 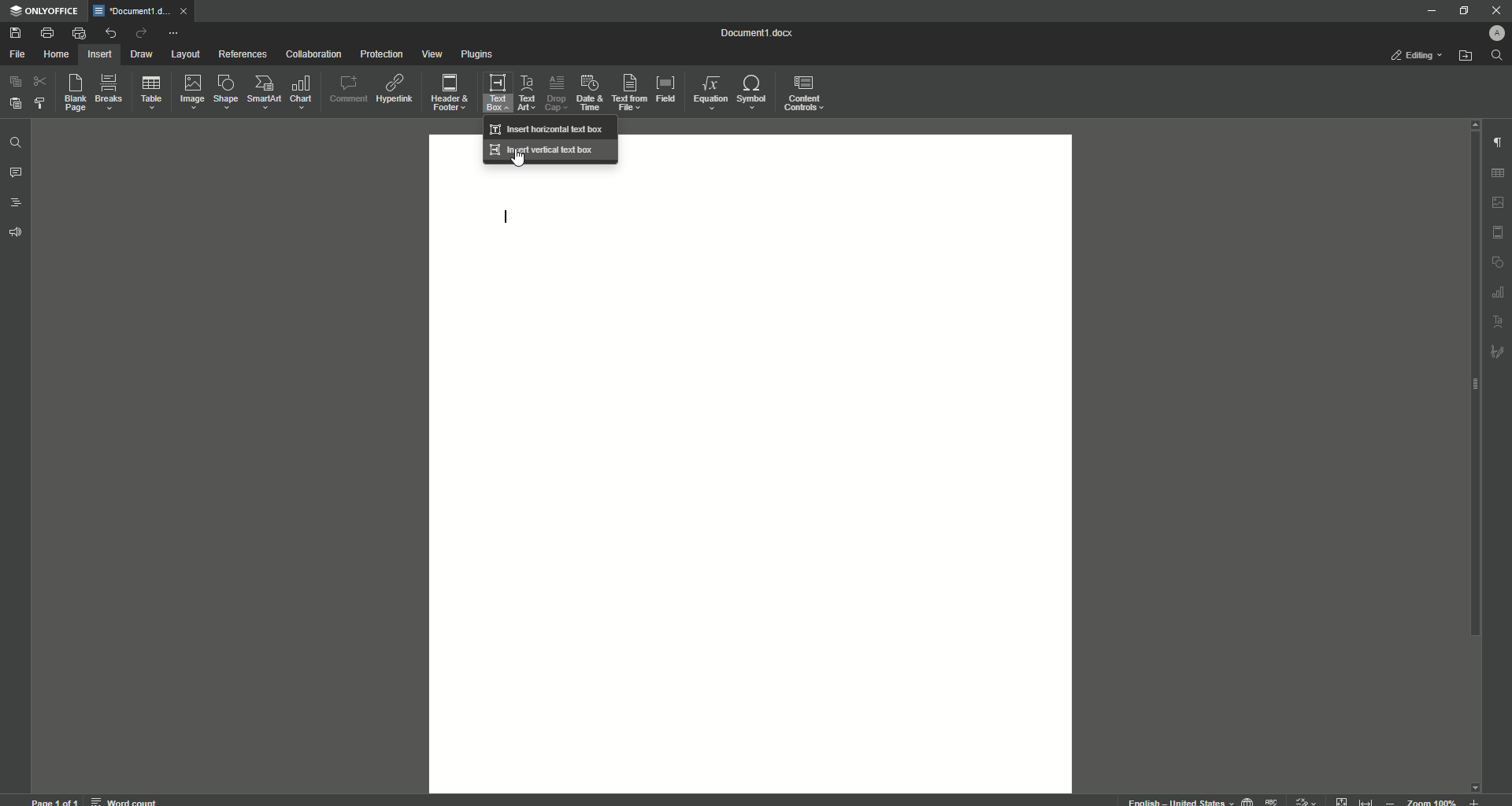 I want to click on Collaboration, so click(x=313, y=56).